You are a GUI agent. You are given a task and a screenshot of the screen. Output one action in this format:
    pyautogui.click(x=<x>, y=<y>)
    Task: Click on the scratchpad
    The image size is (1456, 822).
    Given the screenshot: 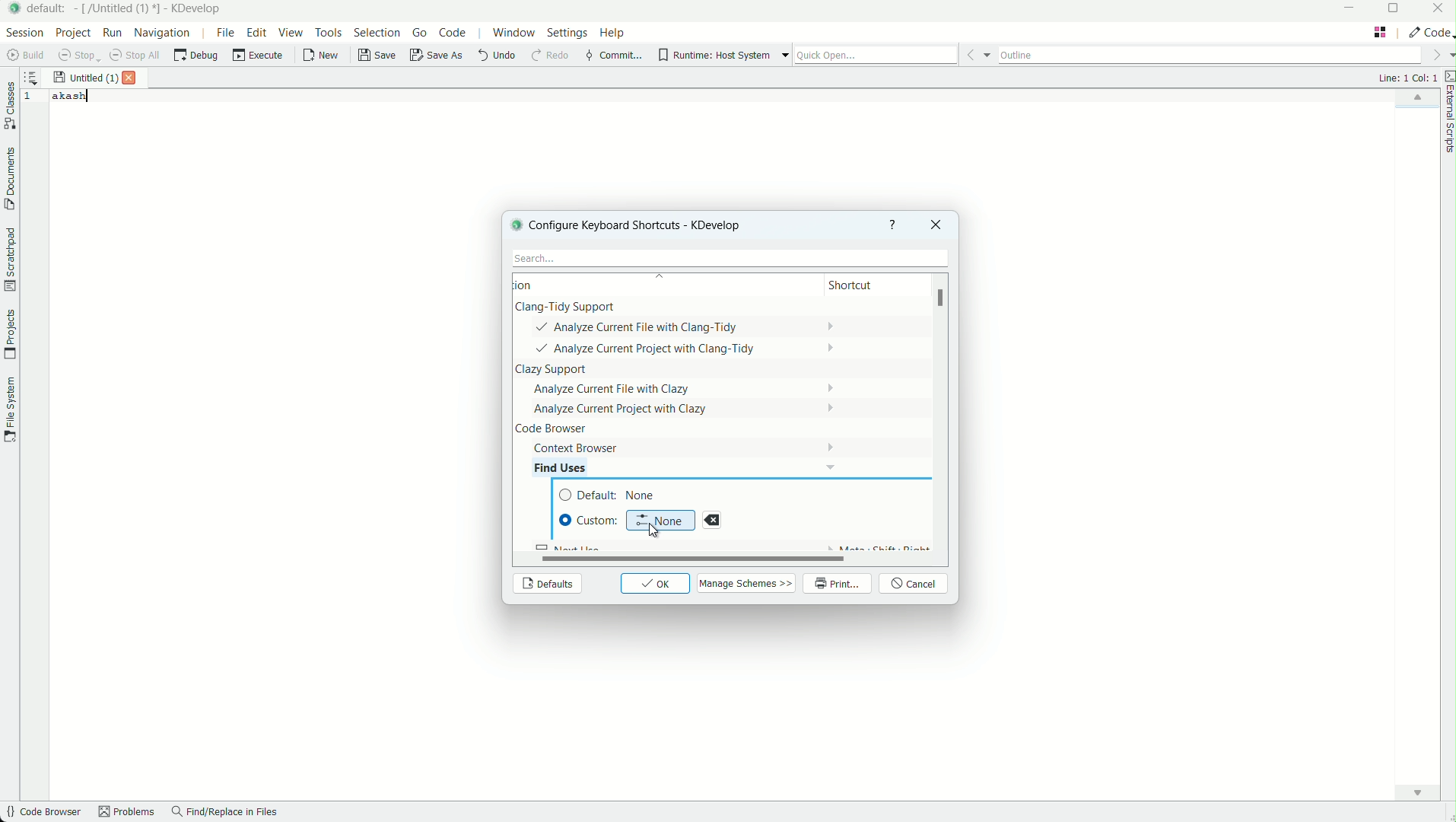 What is the action you would take?
    pyautogui.click(x=9, y=259)
    